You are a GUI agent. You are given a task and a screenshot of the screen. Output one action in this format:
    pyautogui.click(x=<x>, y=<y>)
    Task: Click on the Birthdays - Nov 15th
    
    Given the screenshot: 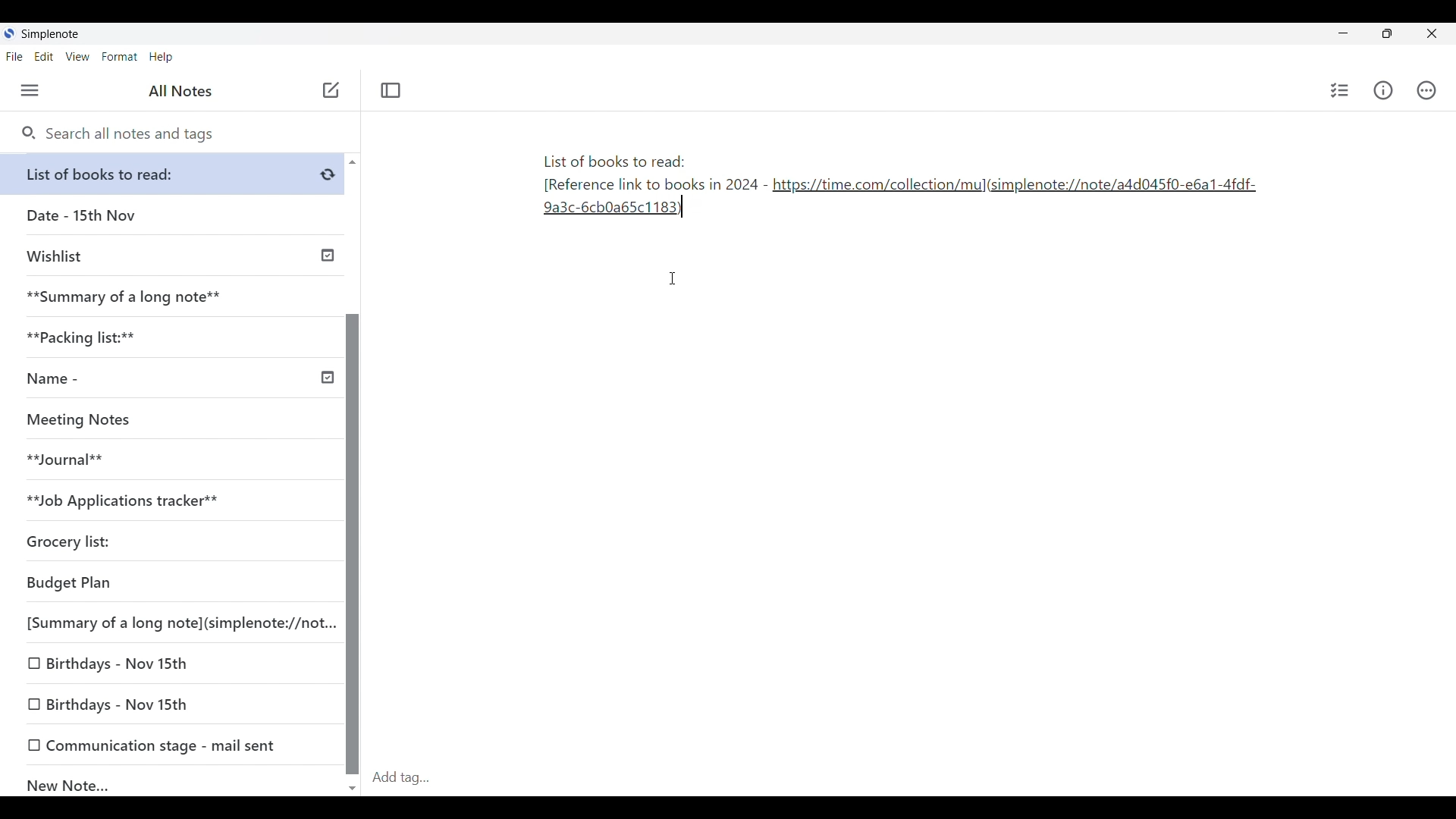 What is the action you would take?
    pyautogui.click(x=171, y=664)
    